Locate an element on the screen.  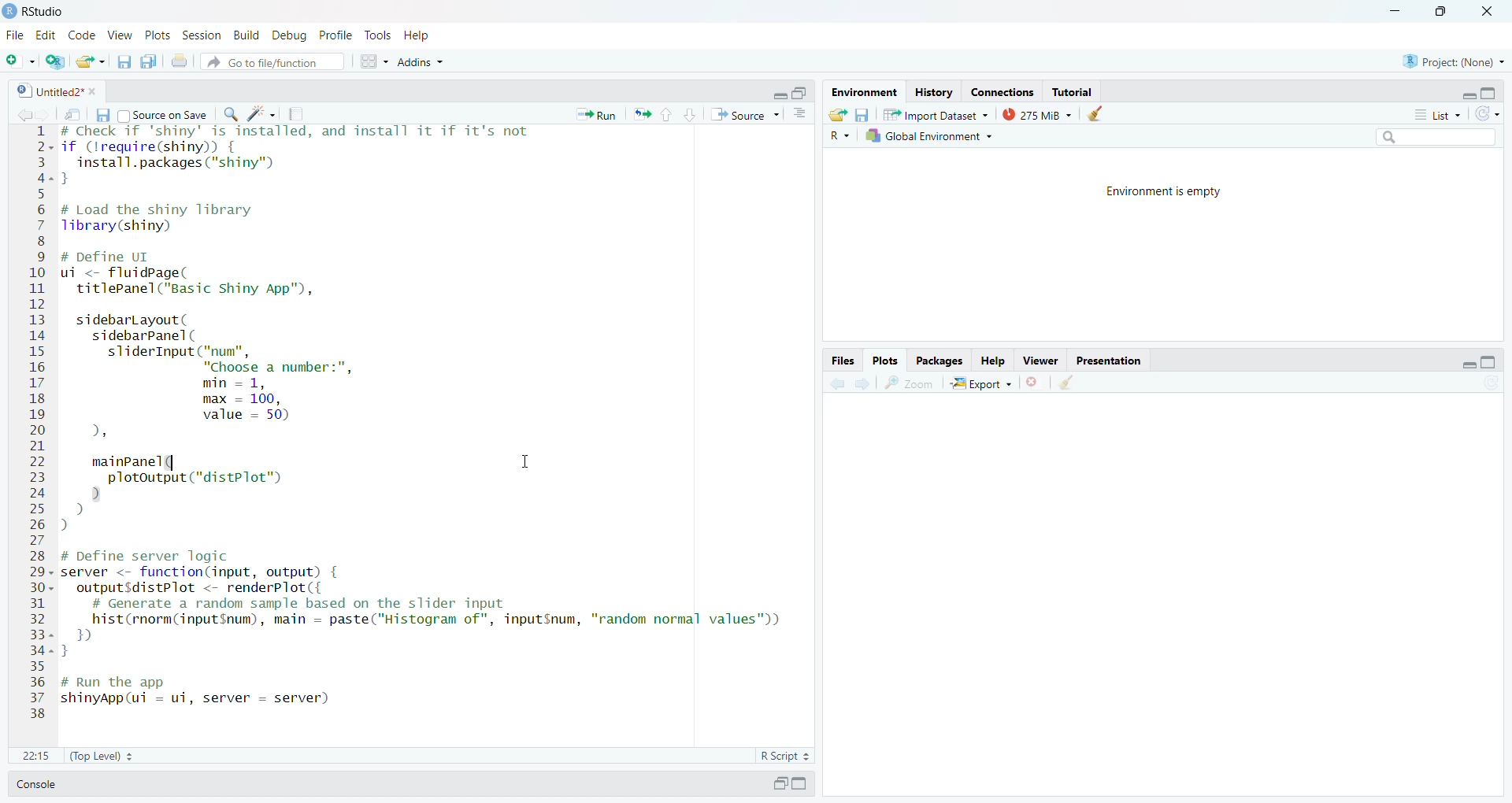
R is located at coordinates (839, 136).